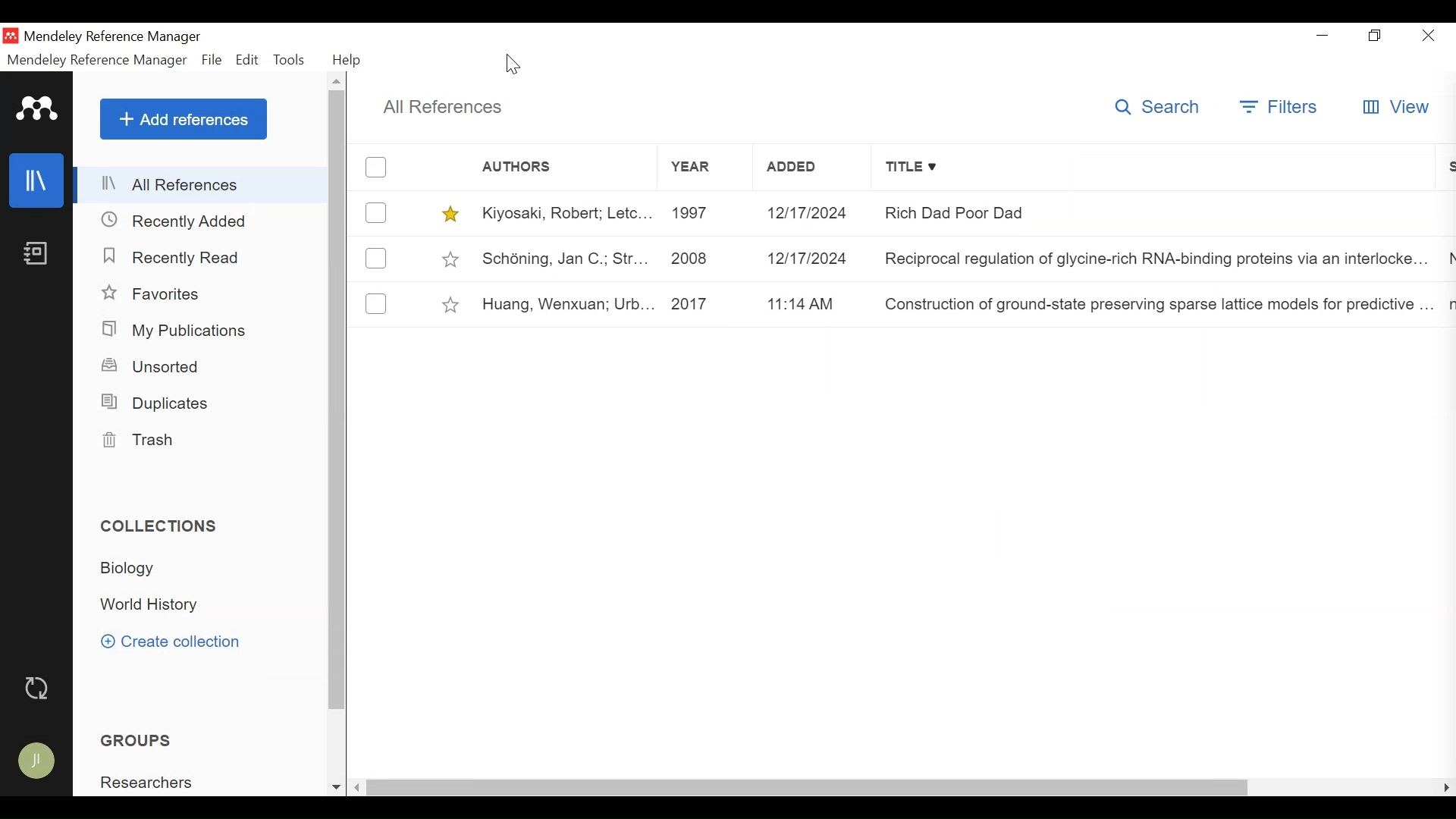 The height and width of the screenshot is (819, 1456). I want to click on Title, so click(1157, 168).